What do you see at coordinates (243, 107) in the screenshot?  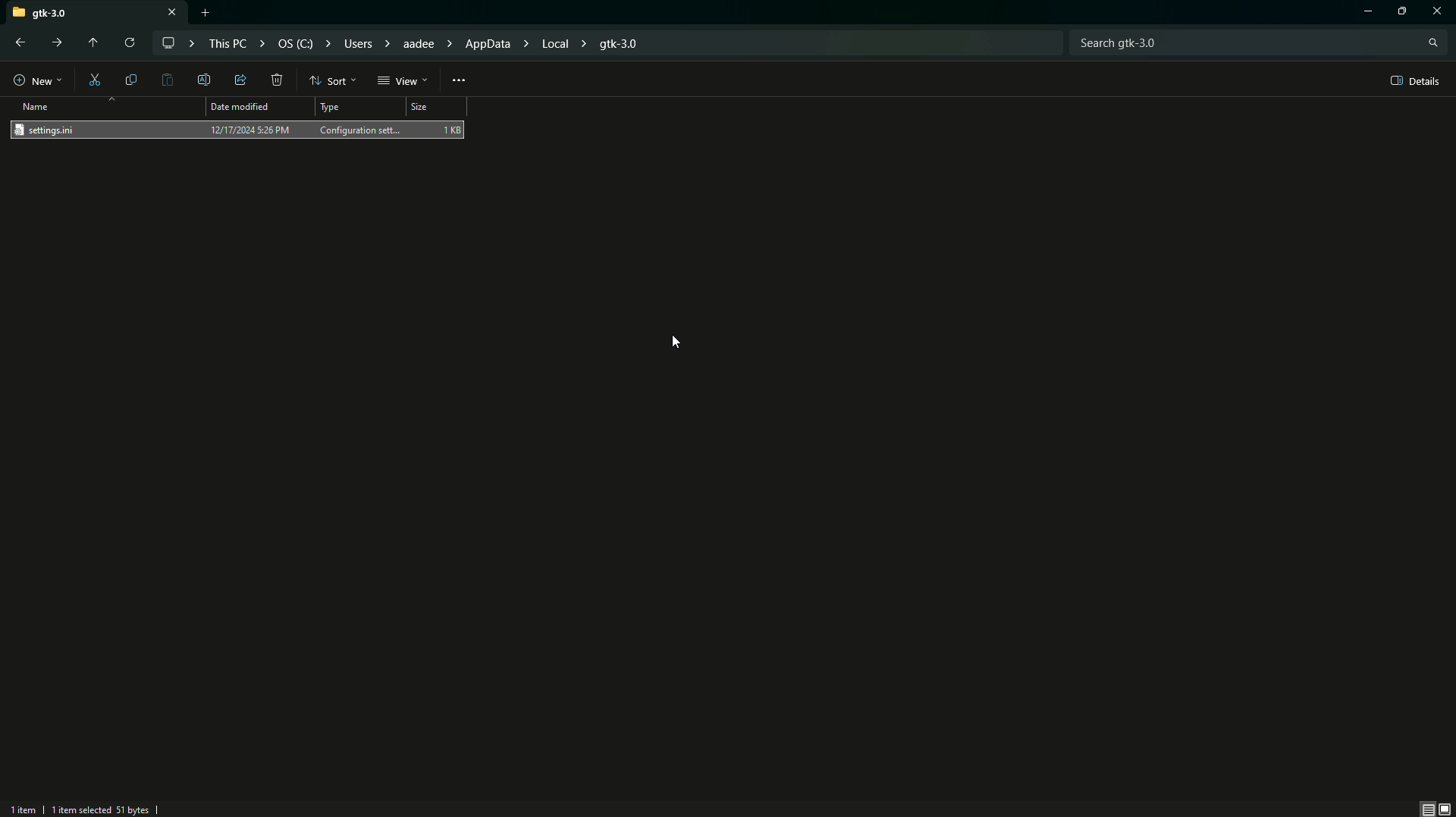 I see `Date modified` at bounding box center [243, 107].